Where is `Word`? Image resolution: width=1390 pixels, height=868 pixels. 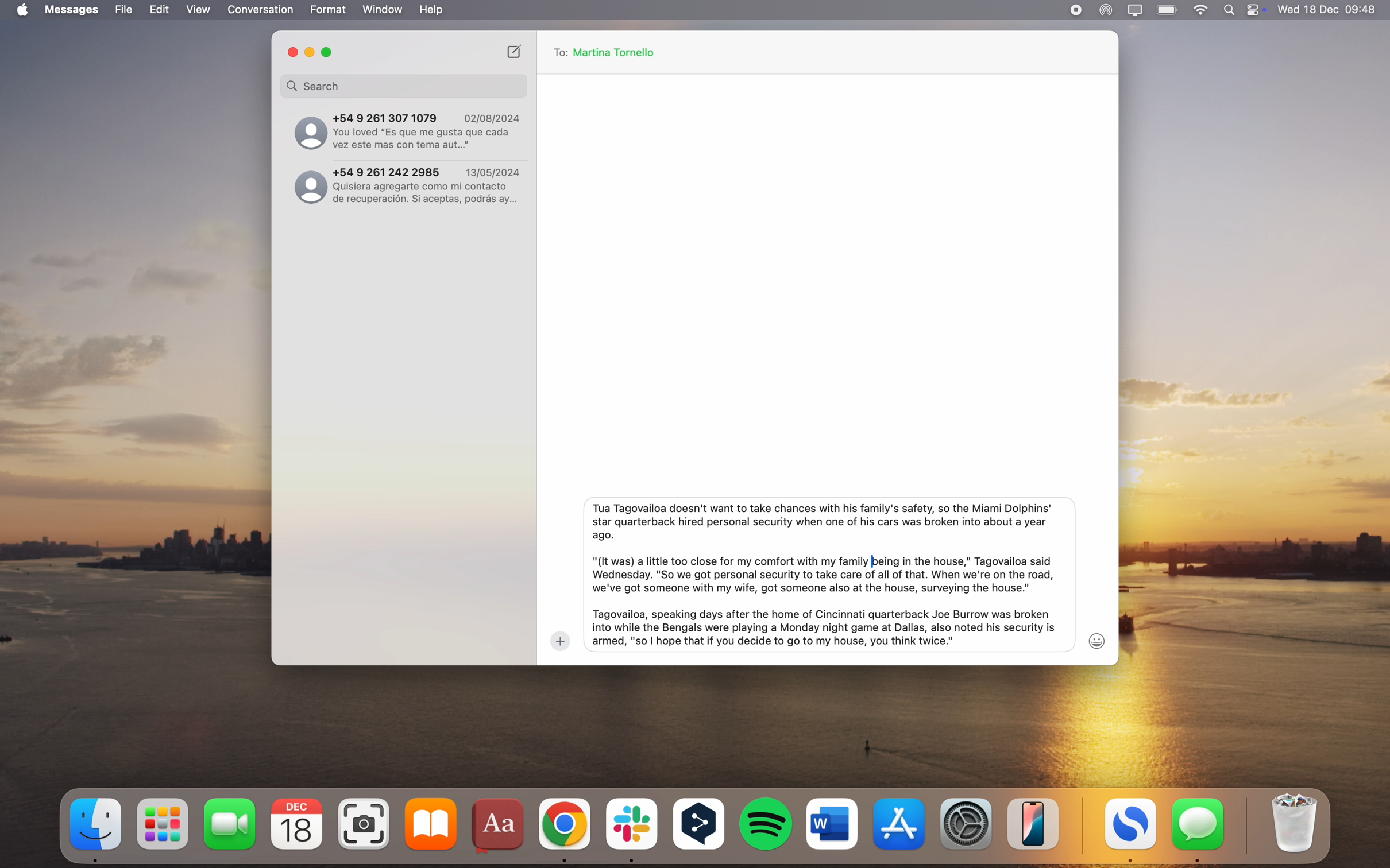
Word is located at coordinates (832, 823).